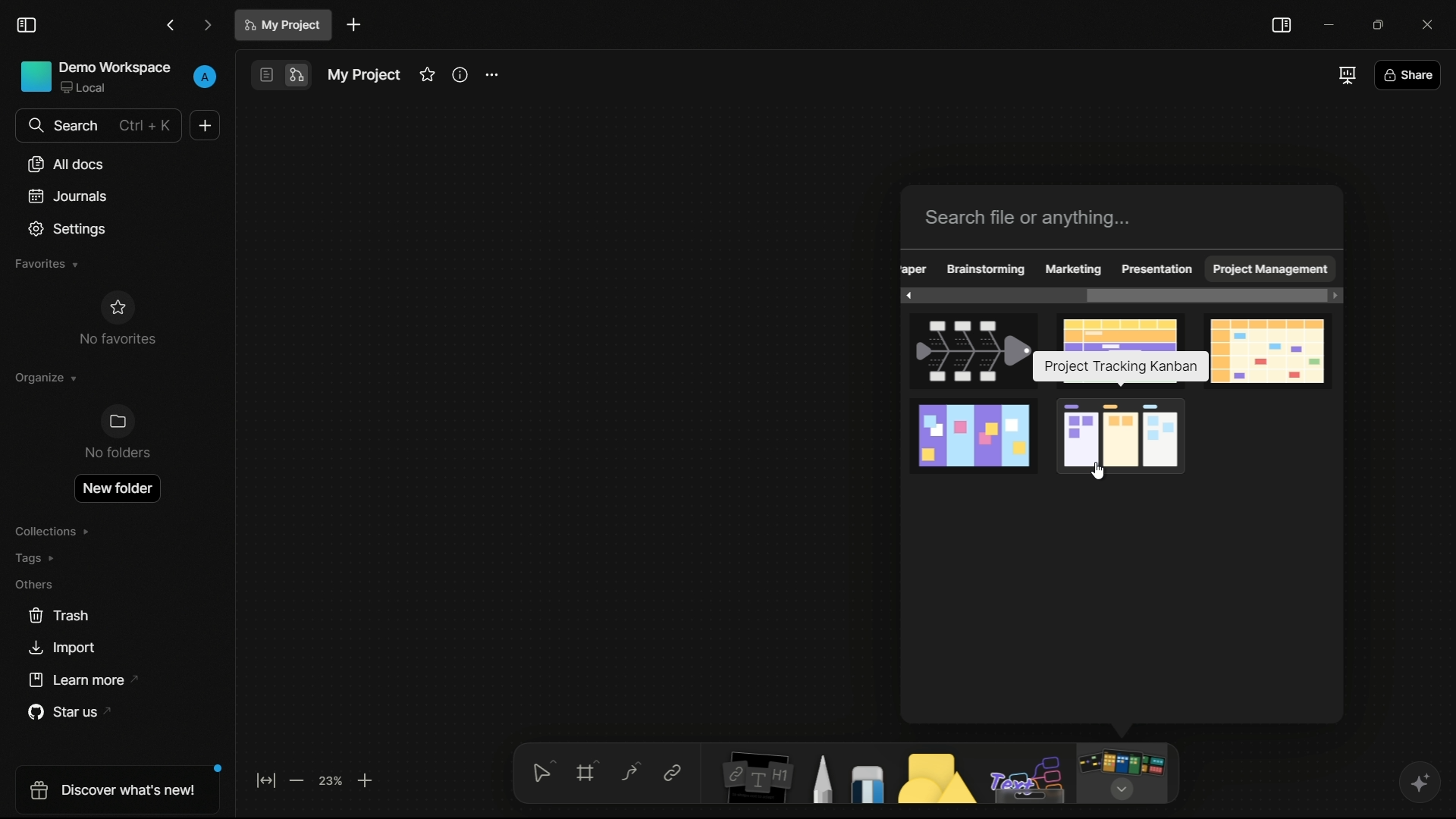 The width and height of the screenshot is (1456, 819). I want to click on star us, so click(74, 713).